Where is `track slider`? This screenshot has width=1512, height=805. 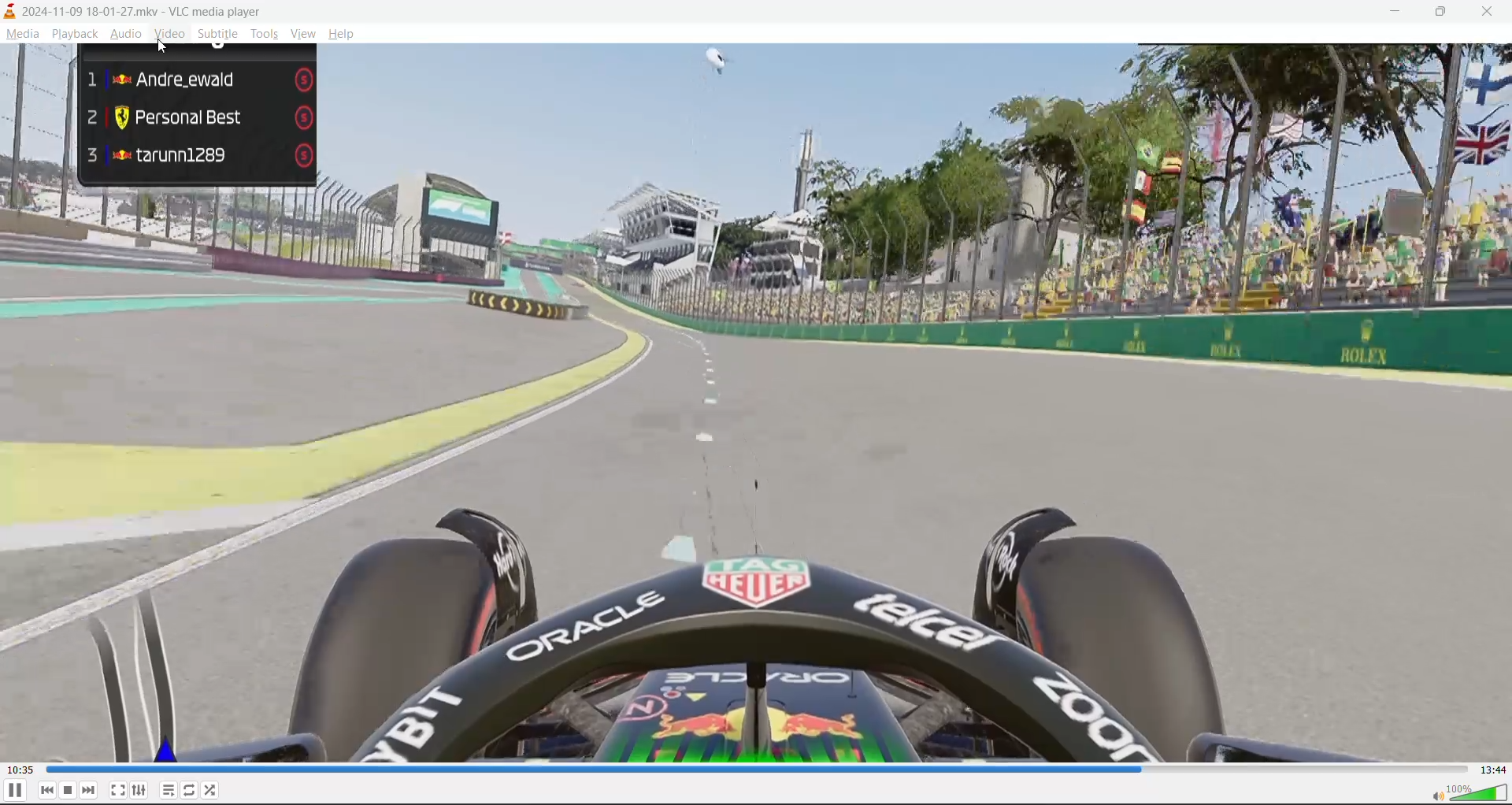
track slider is located at coordinates (754, 769).